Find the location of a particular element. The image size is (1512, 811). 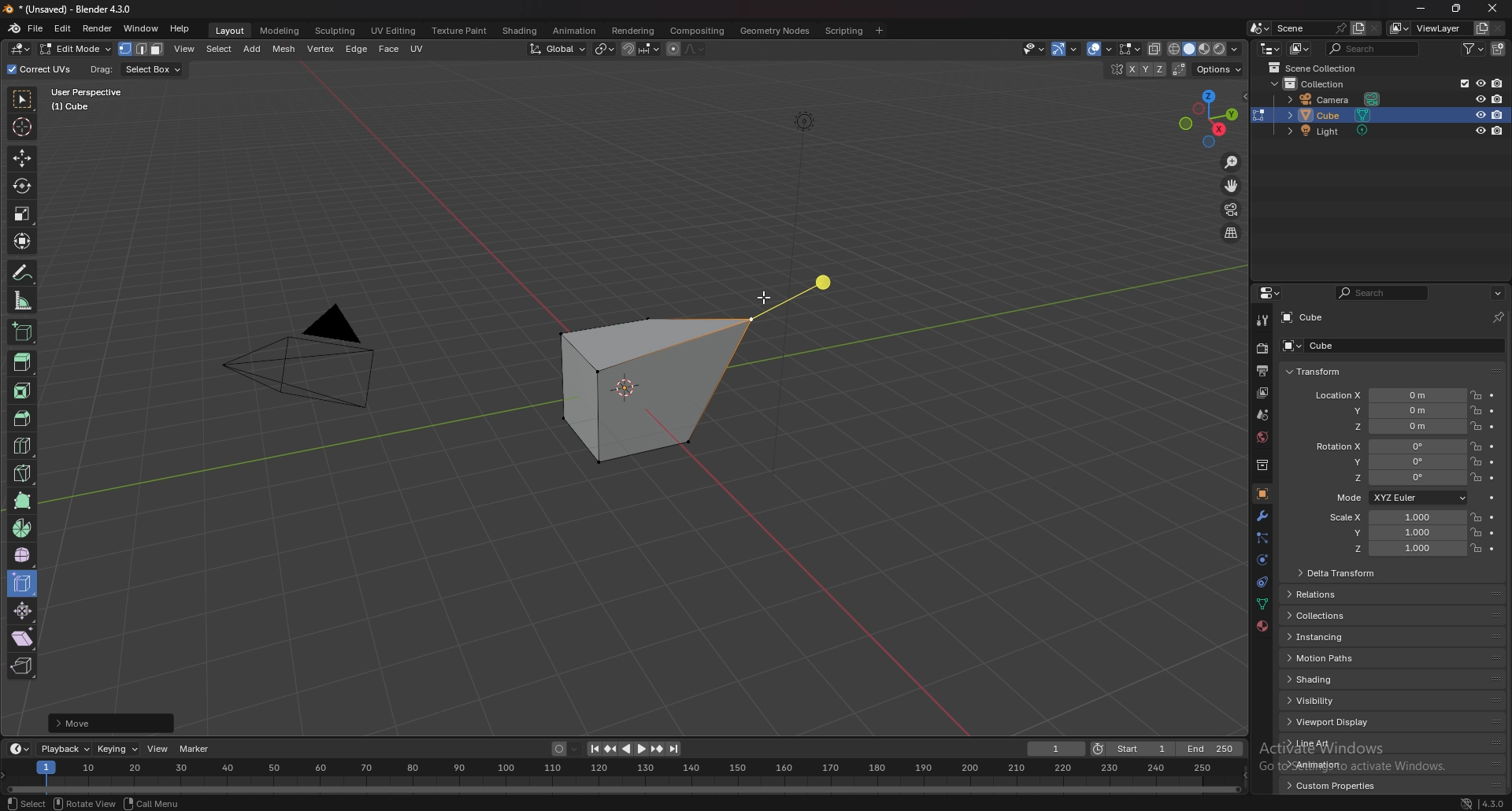

cursor is located at coordinates (767, 299).